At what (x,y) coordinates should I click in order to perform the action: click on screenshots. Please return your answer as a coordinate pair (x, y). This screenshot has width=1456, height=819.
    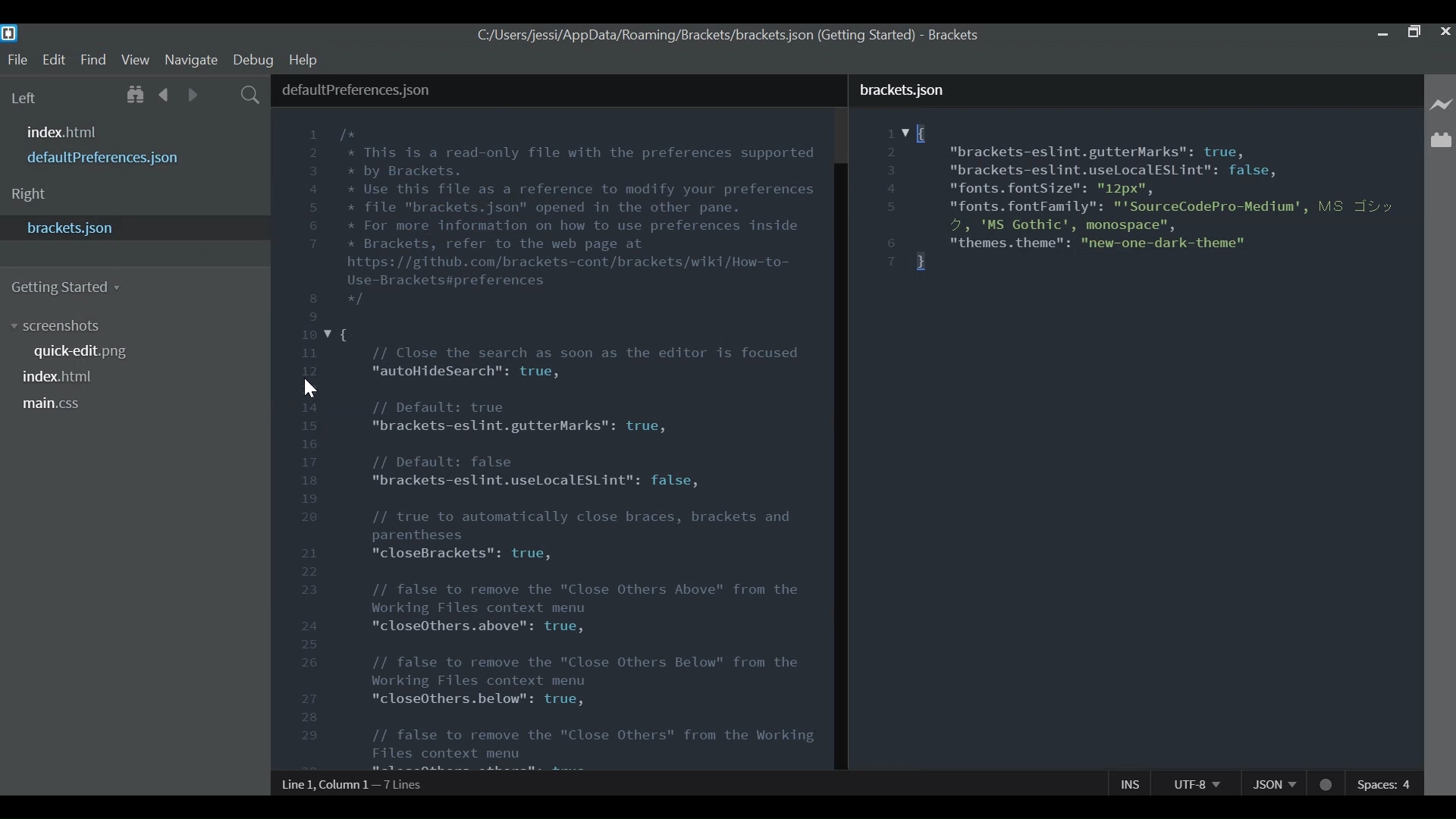
    Looking at the image, I should click on (55, 328).